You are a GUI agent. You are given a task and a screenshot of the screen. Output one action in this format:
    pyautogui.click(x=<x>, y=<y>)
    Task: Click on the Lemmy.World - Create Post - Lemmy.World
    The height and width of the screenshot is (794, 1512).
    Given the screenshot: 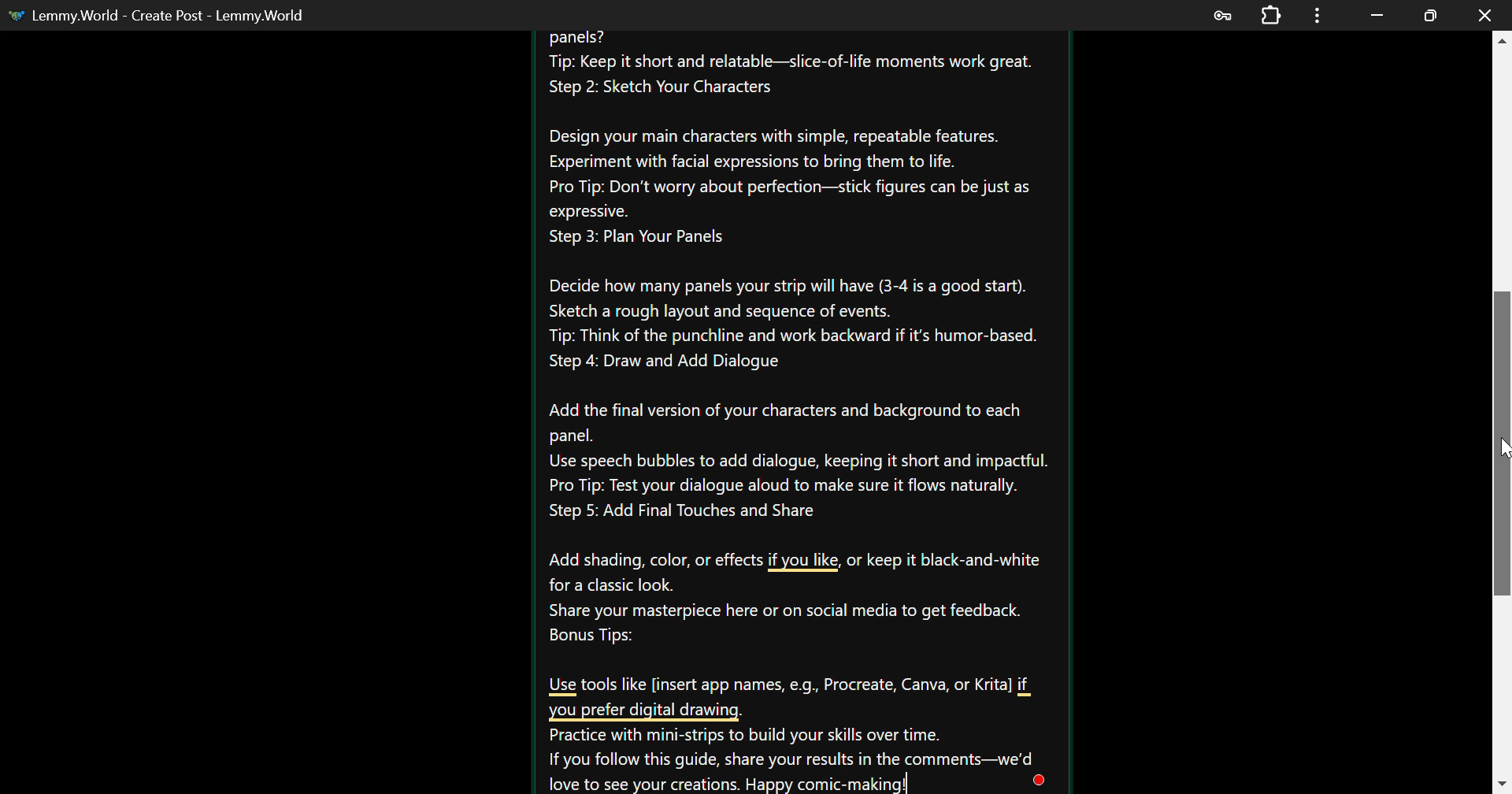 What is the action you would take?
    pyautogui.click(x=164, y=15)
    